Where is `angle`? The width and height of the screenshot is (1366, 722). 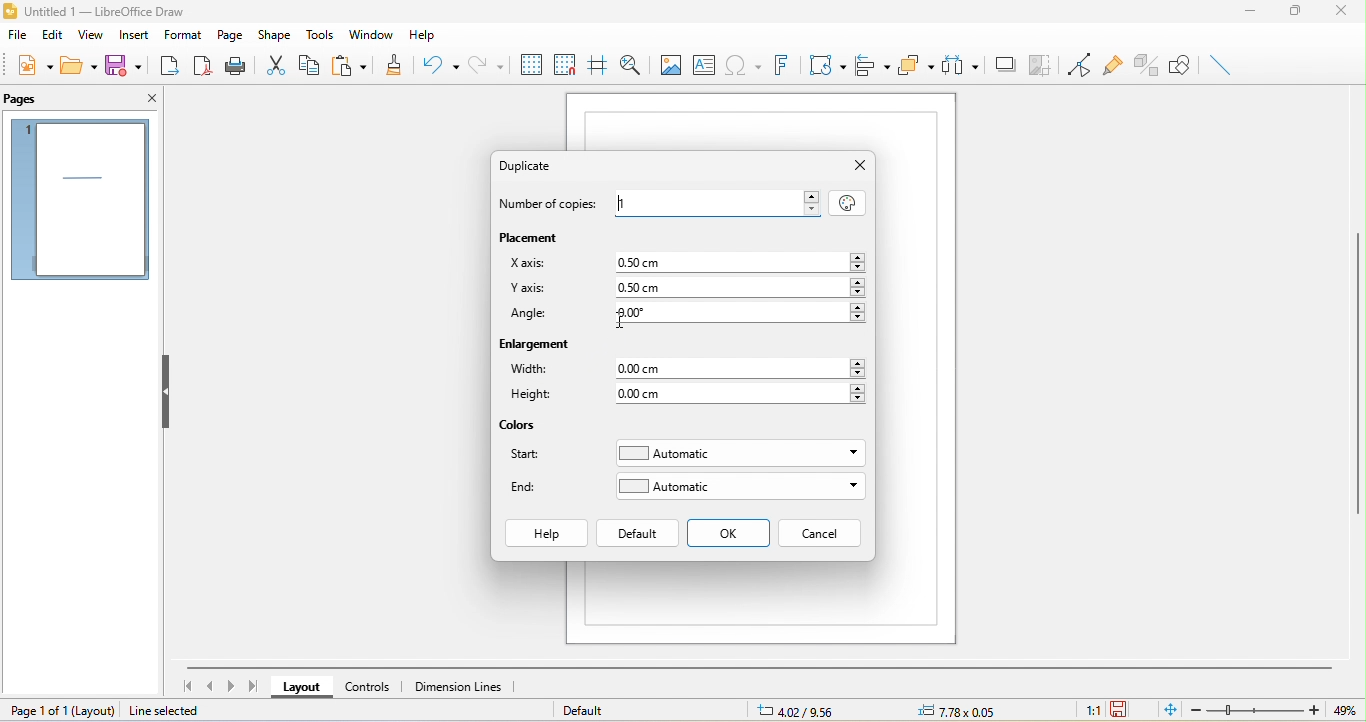 angle is located at coordinates (531, 316).